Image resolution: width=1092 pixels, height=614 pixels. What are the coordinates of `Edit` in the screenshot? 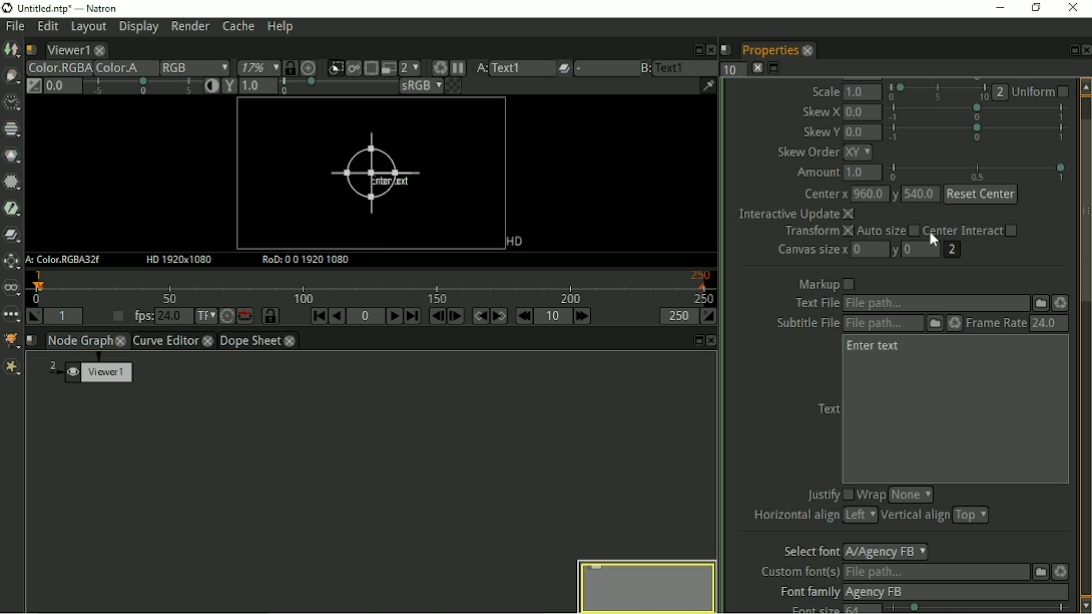 It's located at (47, 28).